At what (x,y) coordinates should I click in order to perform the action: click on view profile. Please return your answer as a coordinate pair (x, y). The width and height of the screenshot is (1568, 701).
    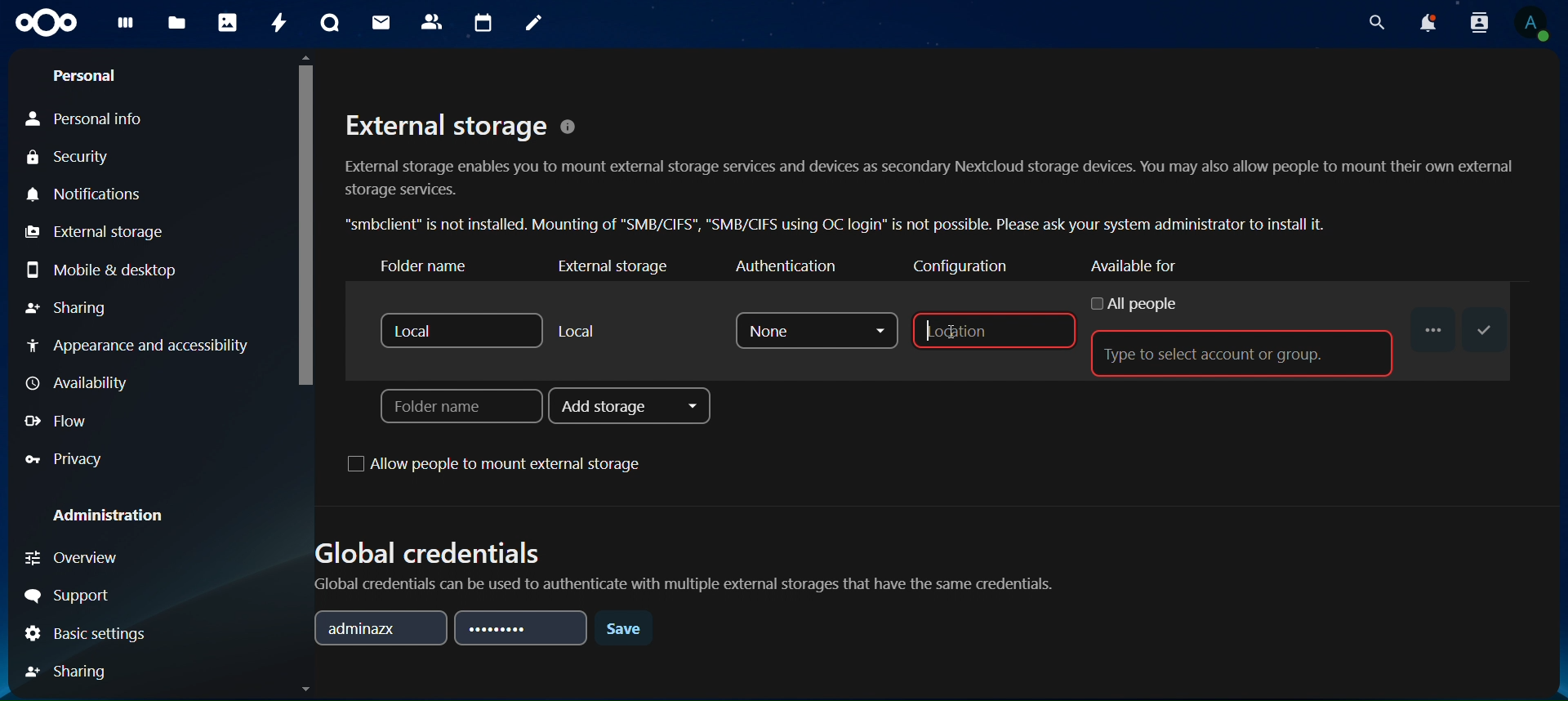
    Looking at the image, I should click on (1530, 25).